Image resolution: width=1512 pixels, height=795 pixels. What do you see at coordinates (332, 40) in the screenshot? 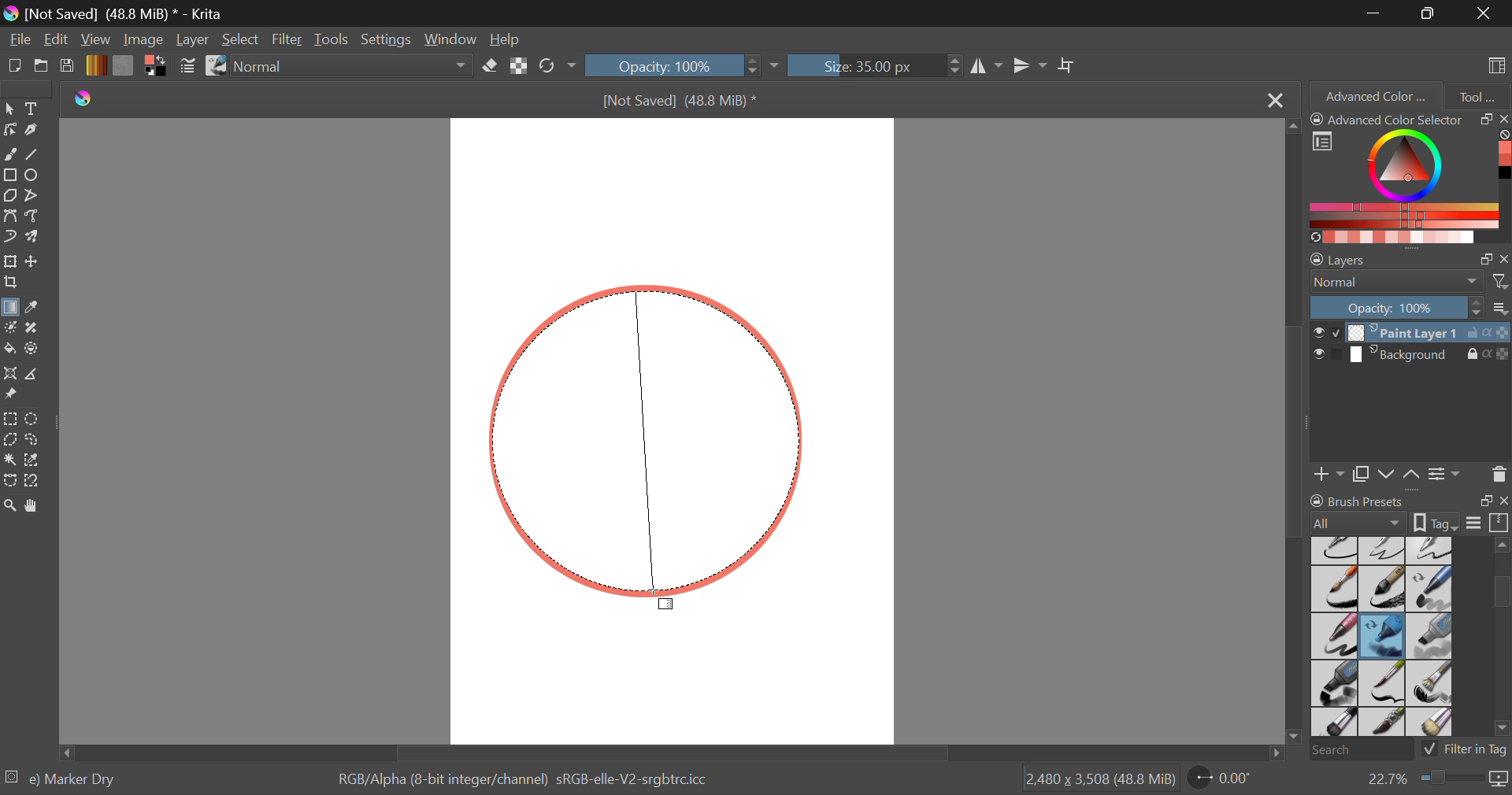
I see `Tools` at bounding box center [332, 40].